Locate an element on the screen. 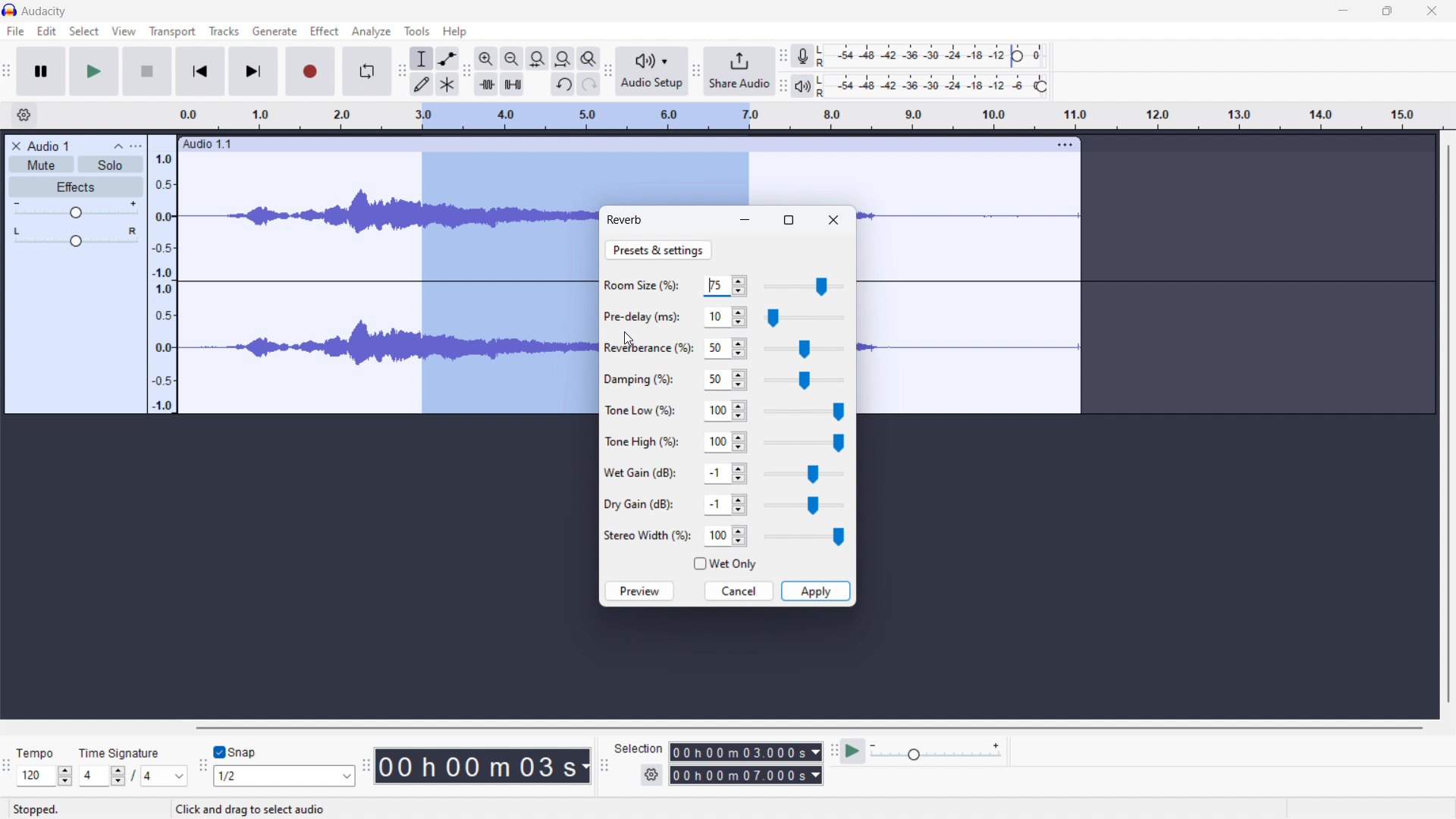 This screenshot has height=819, width=1456. Audio 1.1 is located at coordinates (610, 143).